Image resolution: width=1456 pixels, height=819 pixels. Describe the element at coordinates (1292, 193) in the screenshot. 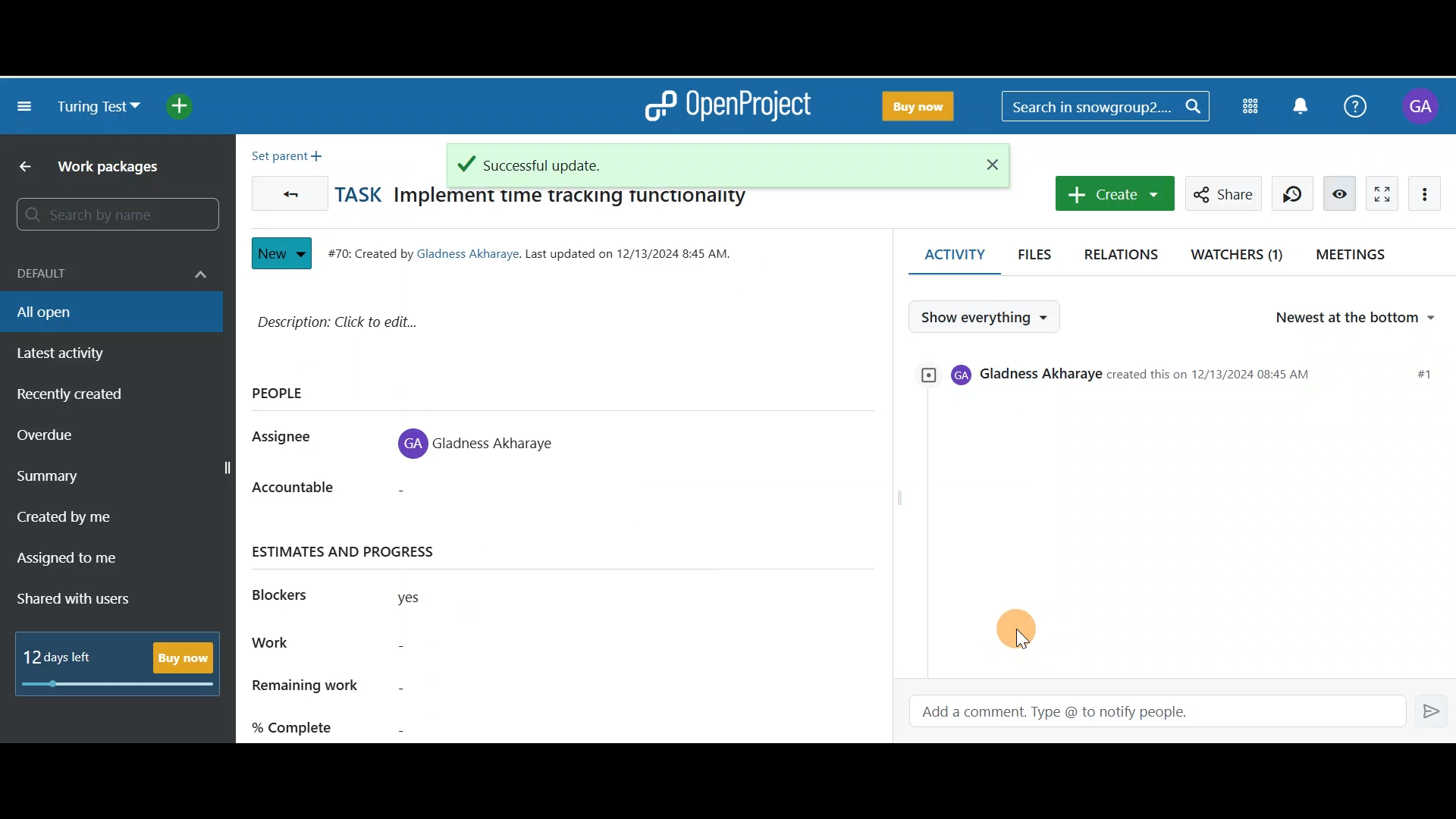

I see `Start new timer` at that location.